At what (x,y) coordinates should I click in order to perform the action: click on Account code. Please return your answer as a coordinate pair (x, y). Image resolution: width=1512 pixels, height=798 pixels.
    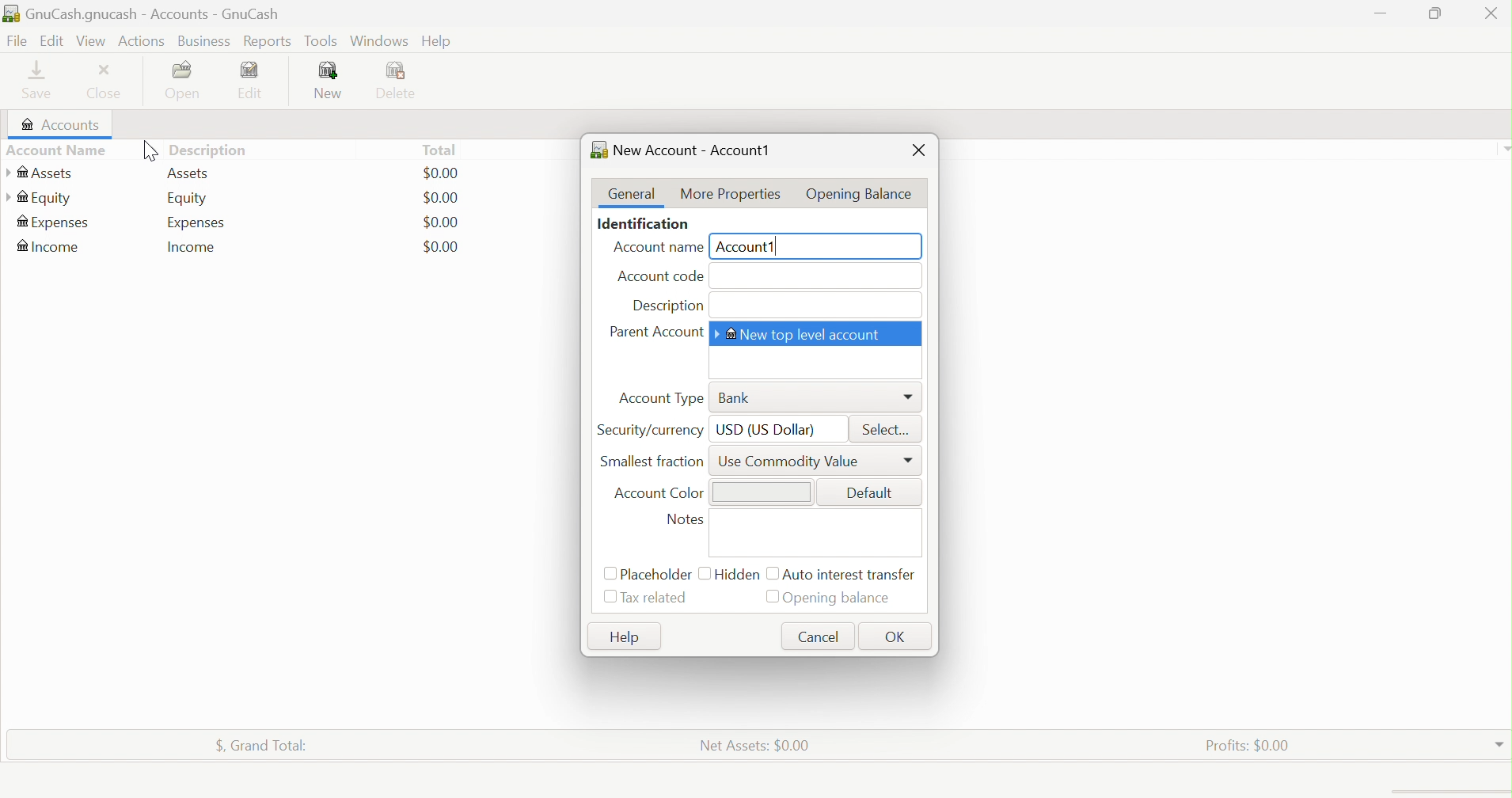
    Looking at the image, I should click on (660, 278).